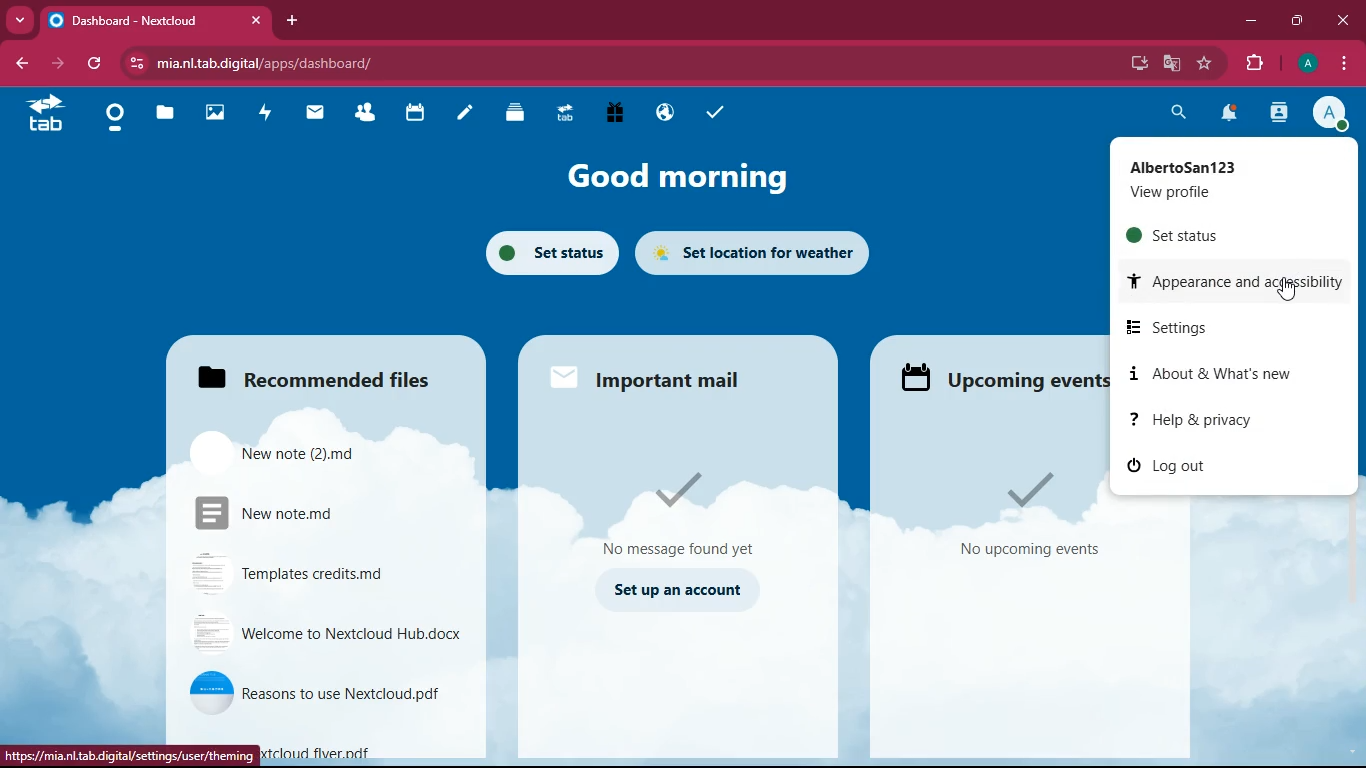 The width and height of the screenshot is (1366, 768). What do you see at coordinates (1334, 114) in the screenshot?
I see `profile` at bounding box center [1334, 114].